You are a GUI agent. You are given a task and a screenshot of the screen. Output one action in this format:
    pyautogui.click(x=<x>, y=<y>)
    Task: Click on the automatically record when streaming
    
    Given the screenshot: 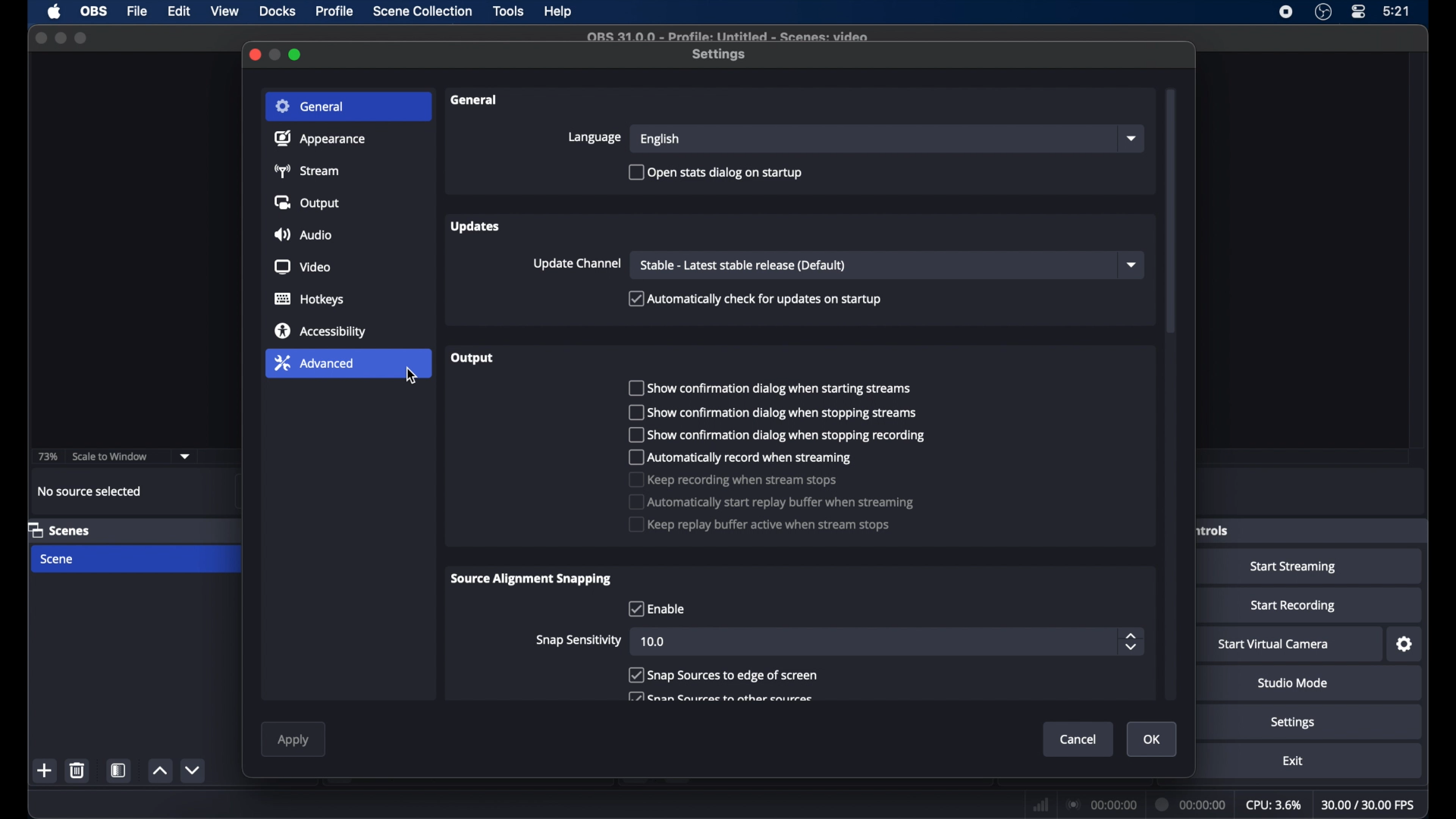 What is the action you would take?
    pyautogui.click(x=742, y=457)
    